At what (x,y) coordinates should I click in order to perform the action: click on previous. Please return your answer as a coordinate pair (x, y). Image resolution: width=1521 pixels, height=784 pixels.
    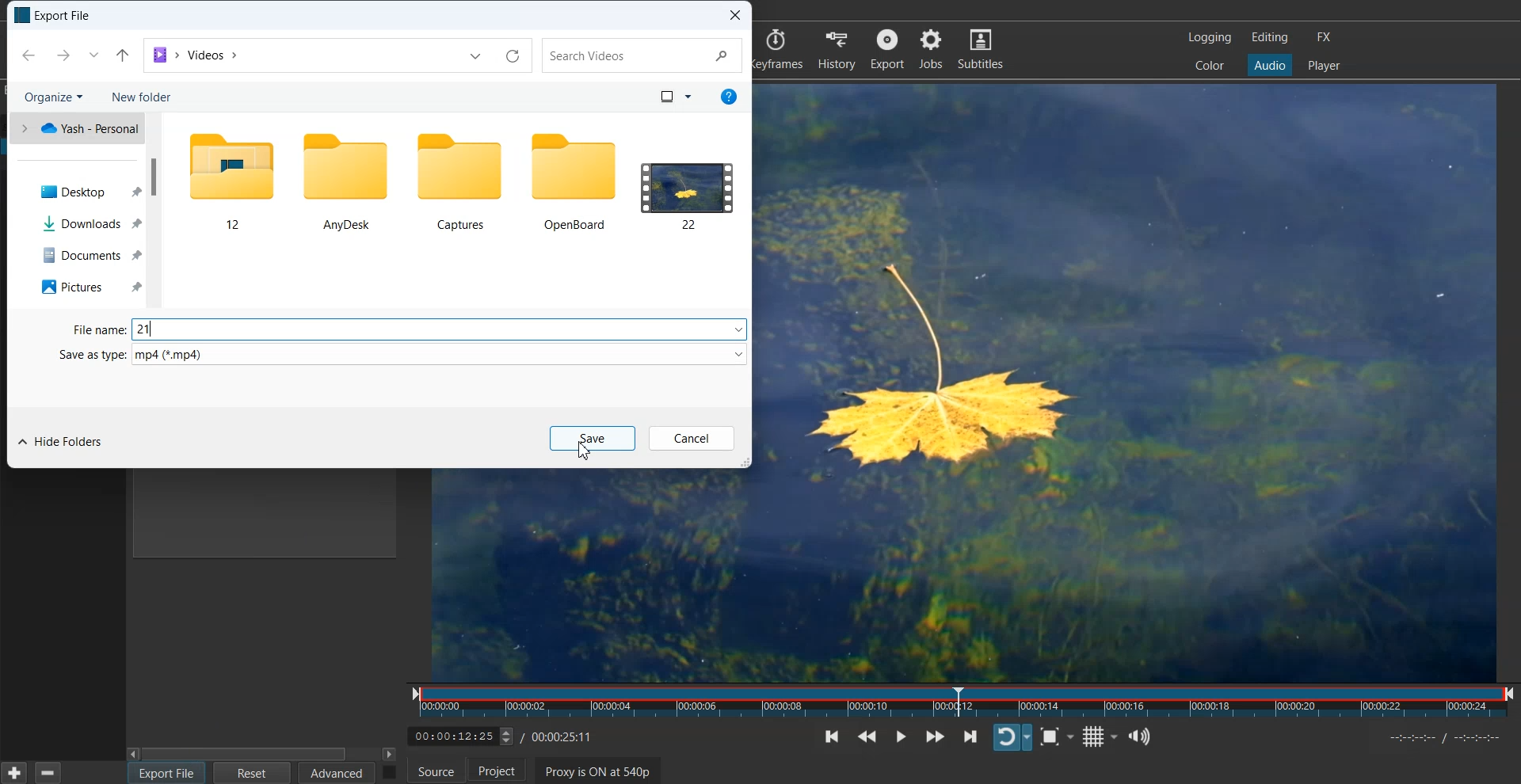
    Looking at the image, I should click on (26, 55).